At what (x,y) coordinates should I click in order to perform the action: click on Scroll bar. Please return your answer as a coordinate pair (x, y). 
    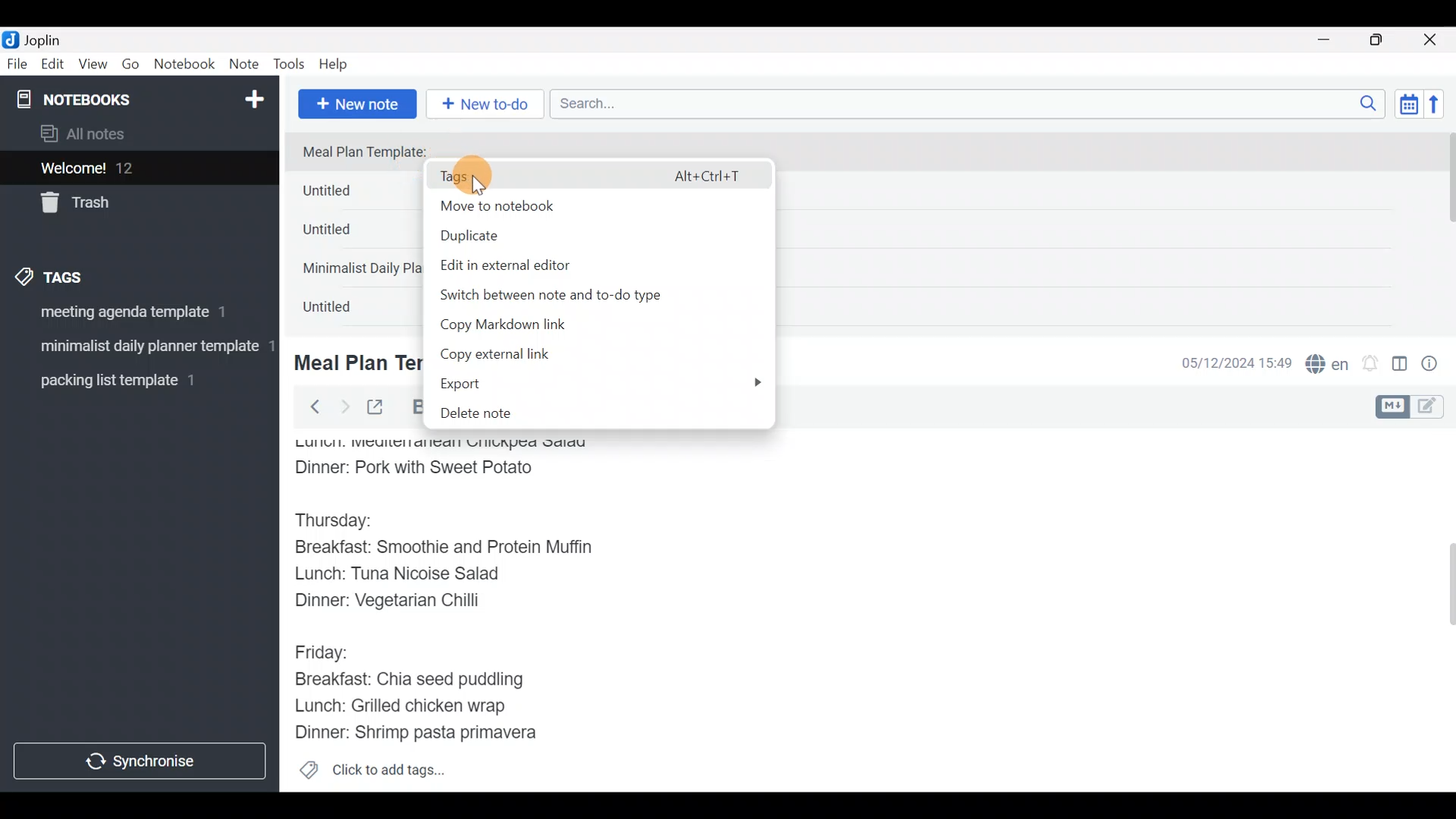
    Looking at the image, I should click on (1440, 610).